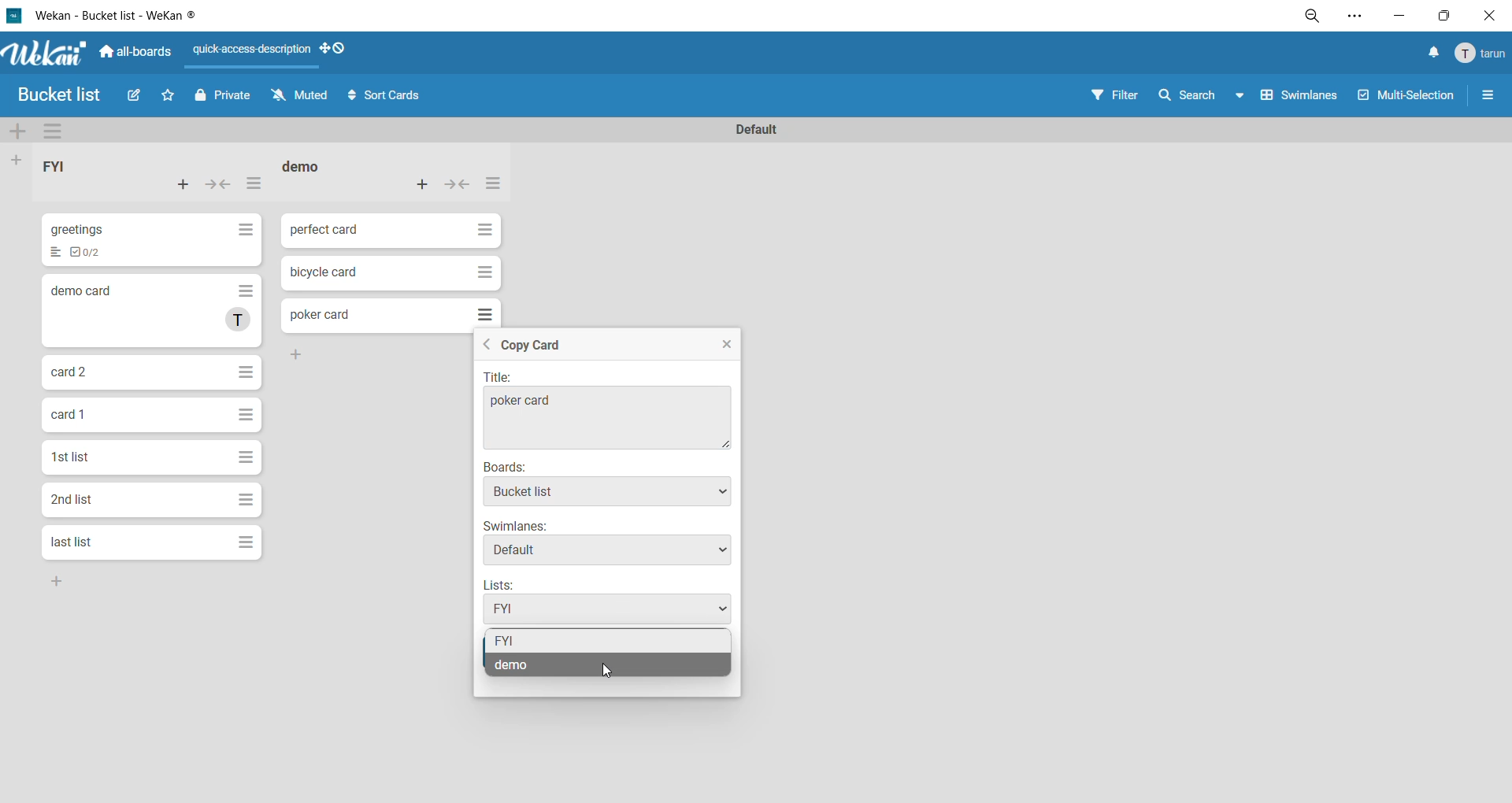 The height and width of the screenshot is (803, 1512). I want to click on sidebar, so click(1488, 98).